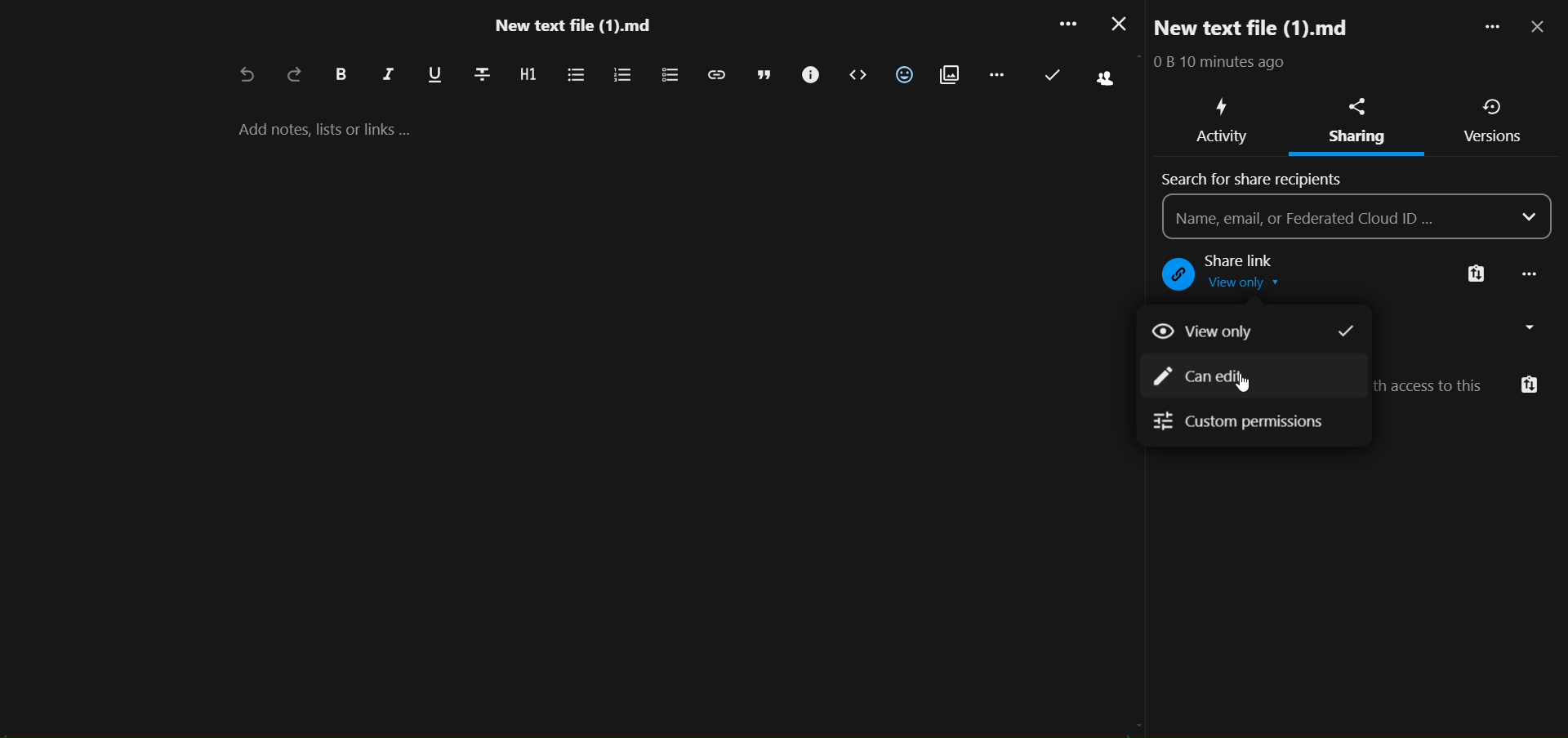 The width and height of the screenshot is (1568, 738). Describe the element at coordinates (1357, 104) in the screenshot. I see `sharing` at that location.